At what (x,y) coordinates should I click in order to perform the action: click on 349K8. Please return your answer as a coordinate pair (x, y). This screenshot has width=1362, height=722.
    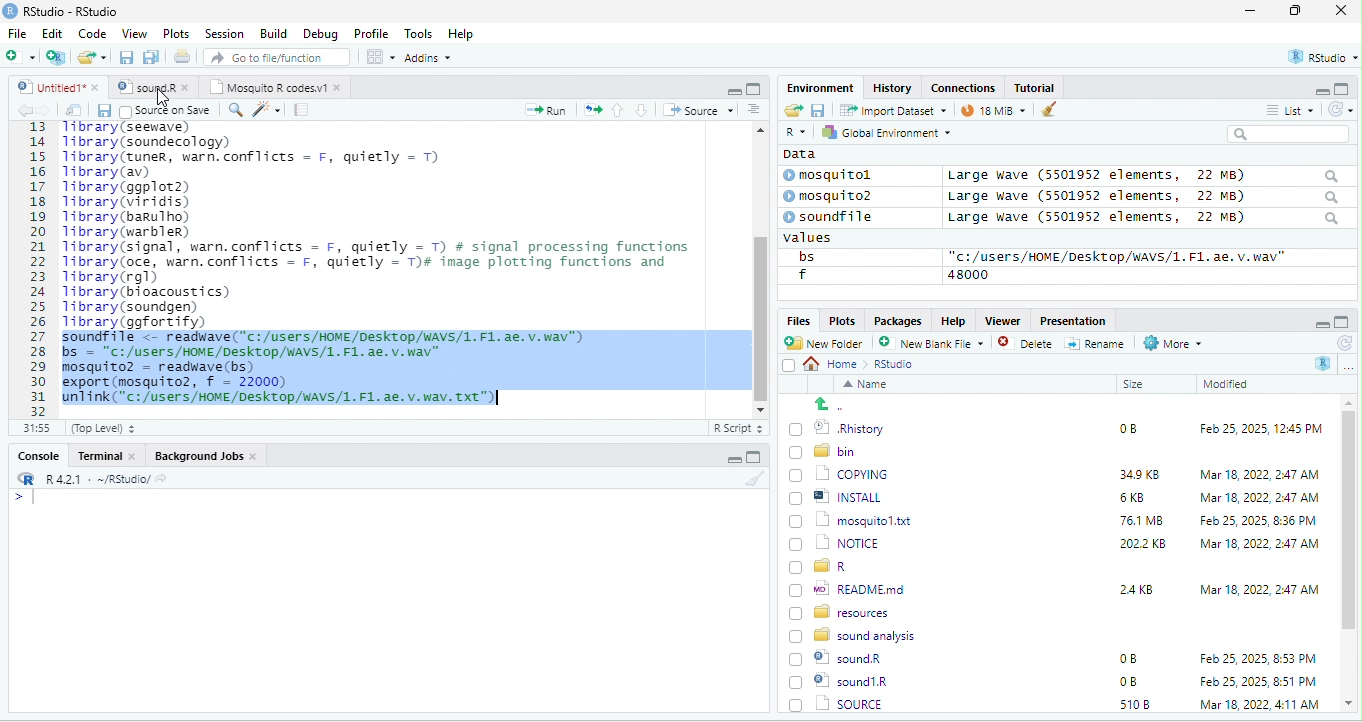
    Looking at the image, I should click on (1140, 475).